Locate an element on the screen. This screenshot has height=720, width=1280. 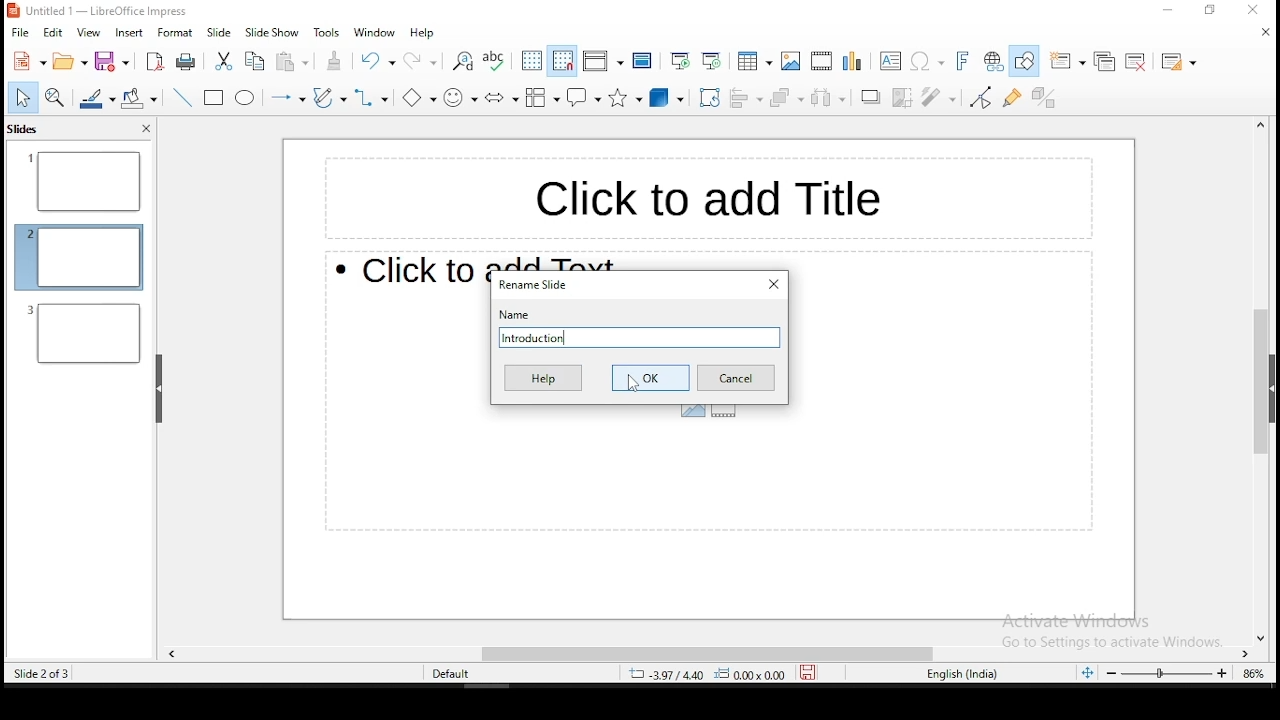
scroll bar is located at coordinates (1255, 381).